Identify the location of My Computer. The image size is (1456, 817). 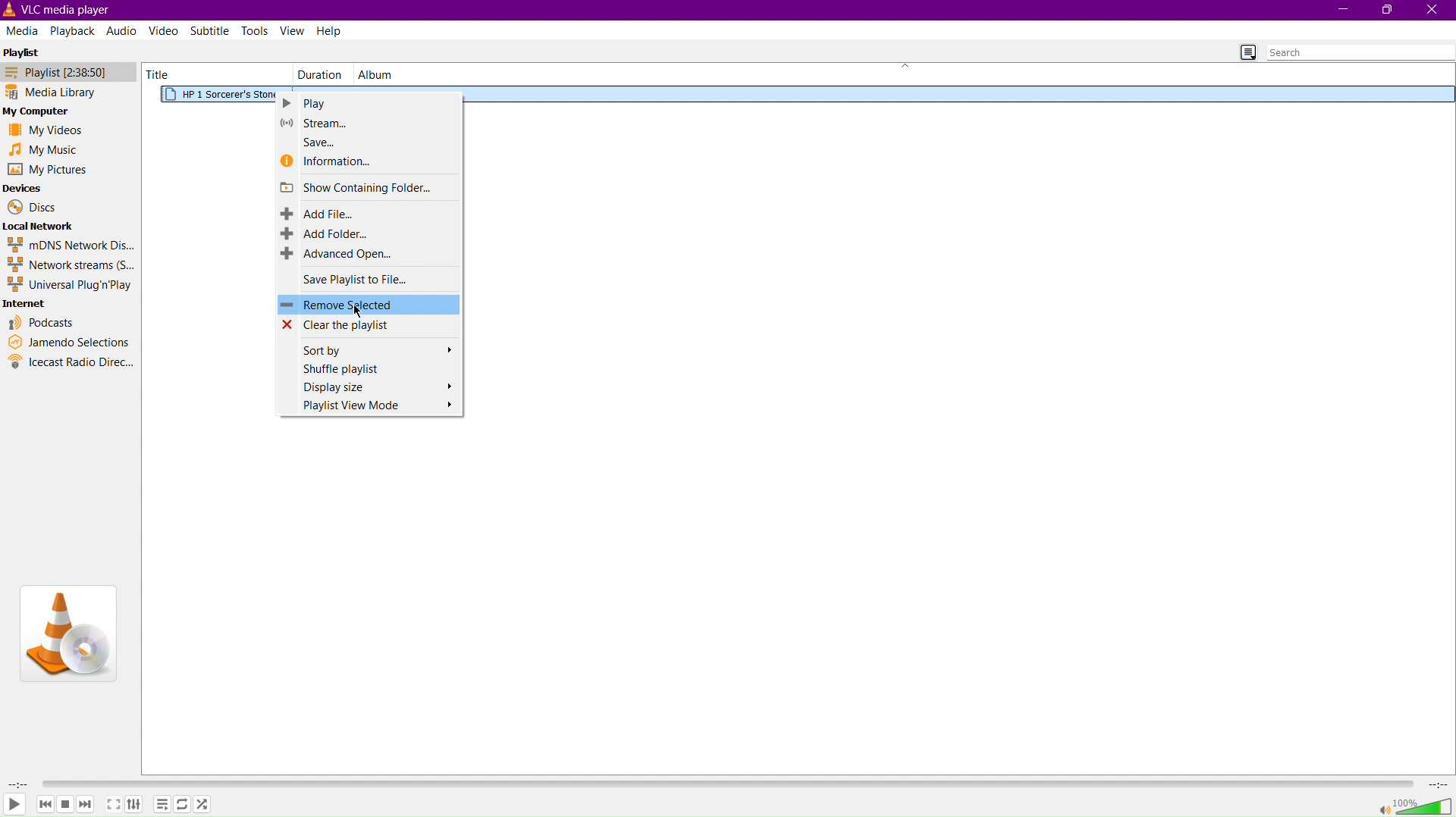
(42, 110).